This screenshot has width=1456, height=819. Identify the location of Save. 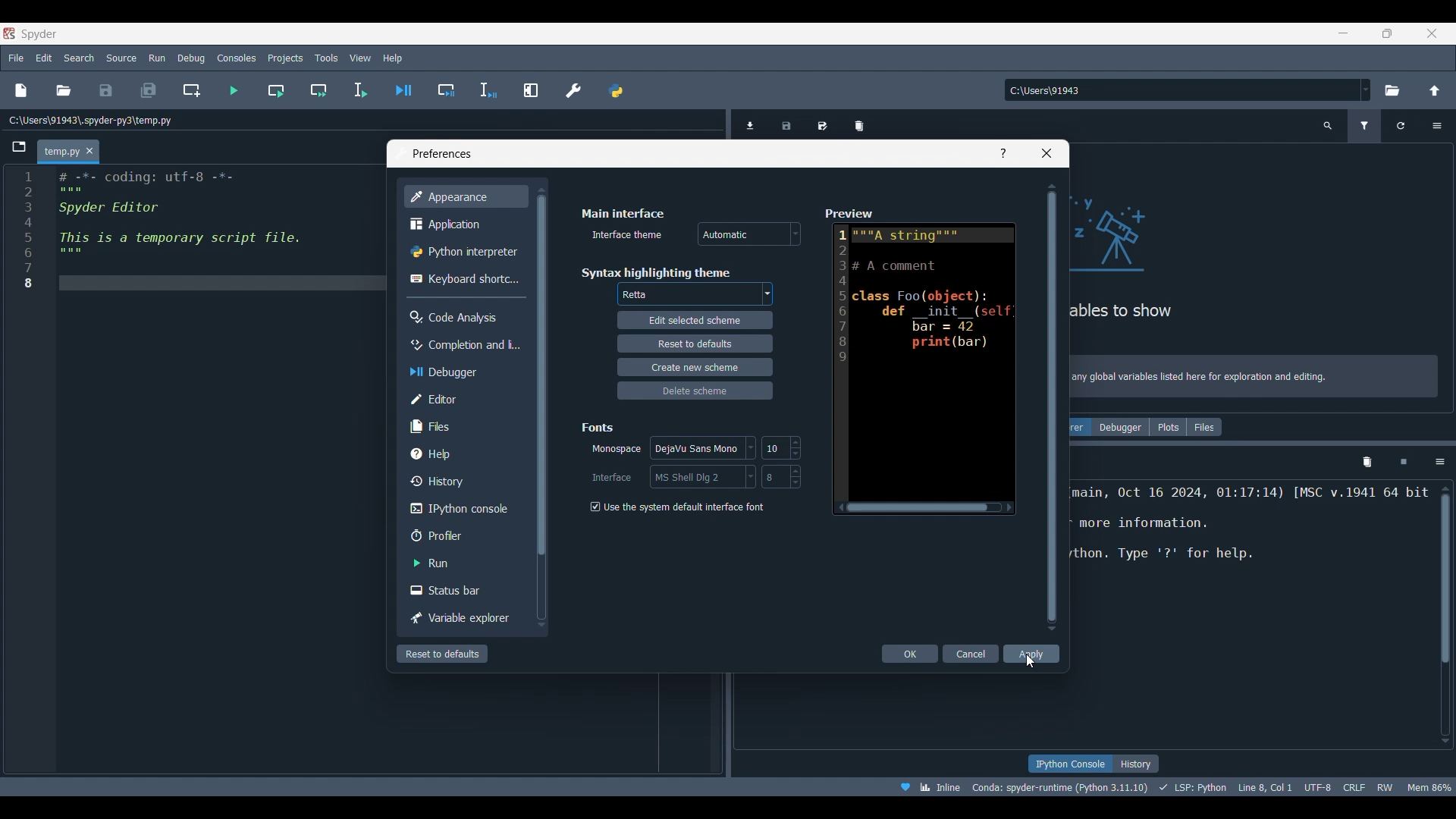
(105, 90).